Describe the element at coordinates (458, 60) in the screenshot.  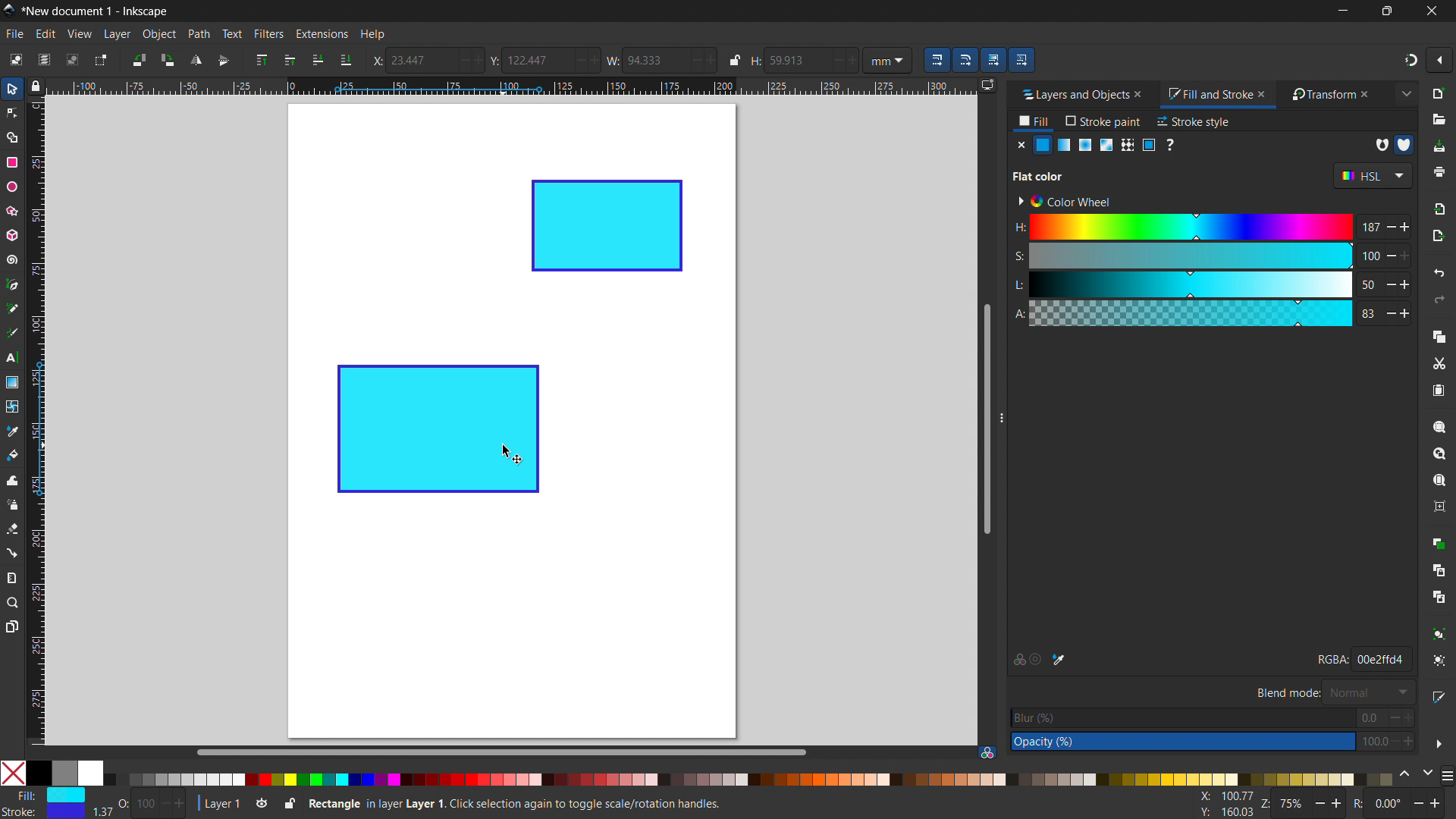
I see `minus/ decrease` at that location.